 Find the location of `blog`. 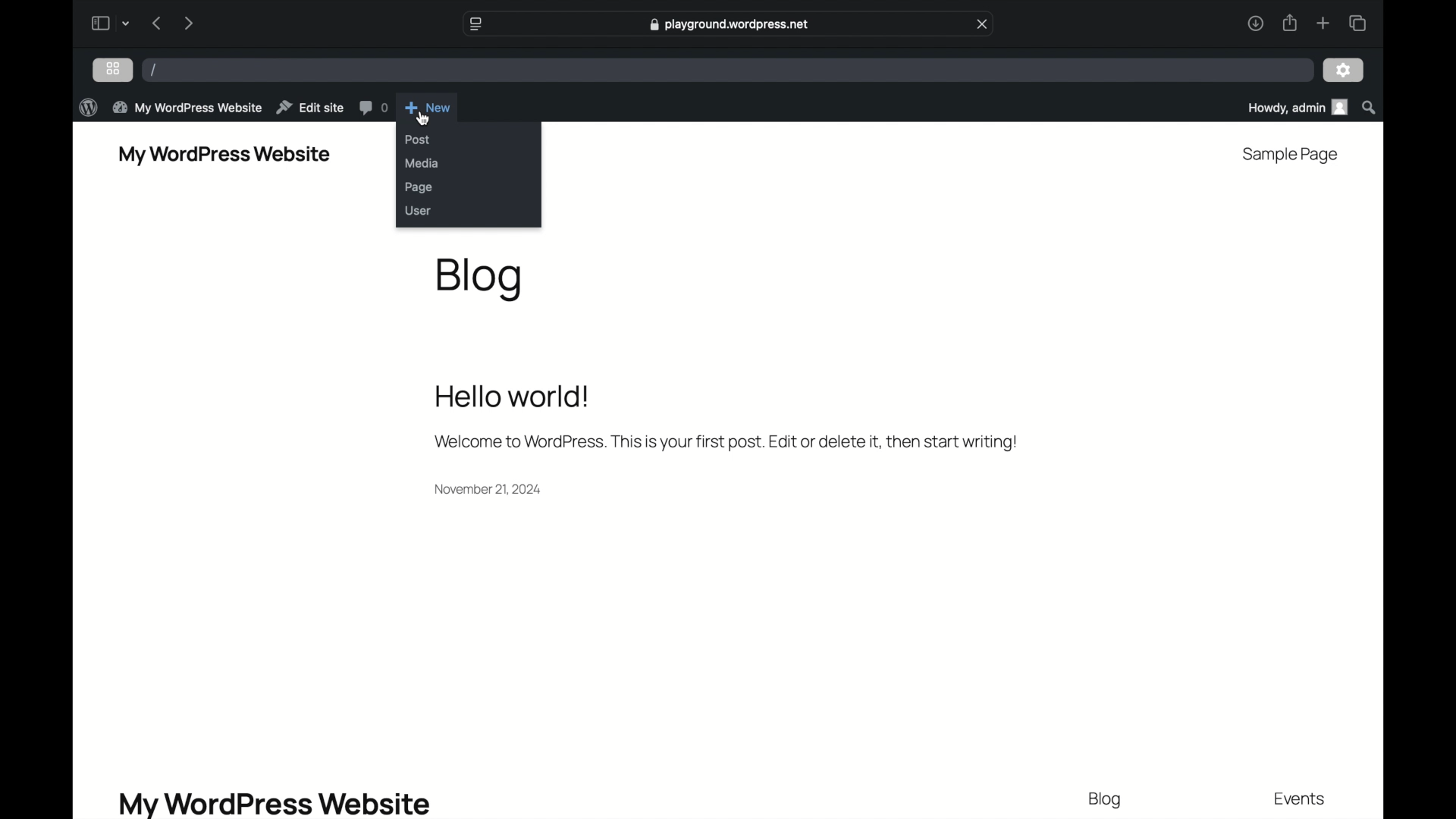

blog is located at coordinates (1106, 800).